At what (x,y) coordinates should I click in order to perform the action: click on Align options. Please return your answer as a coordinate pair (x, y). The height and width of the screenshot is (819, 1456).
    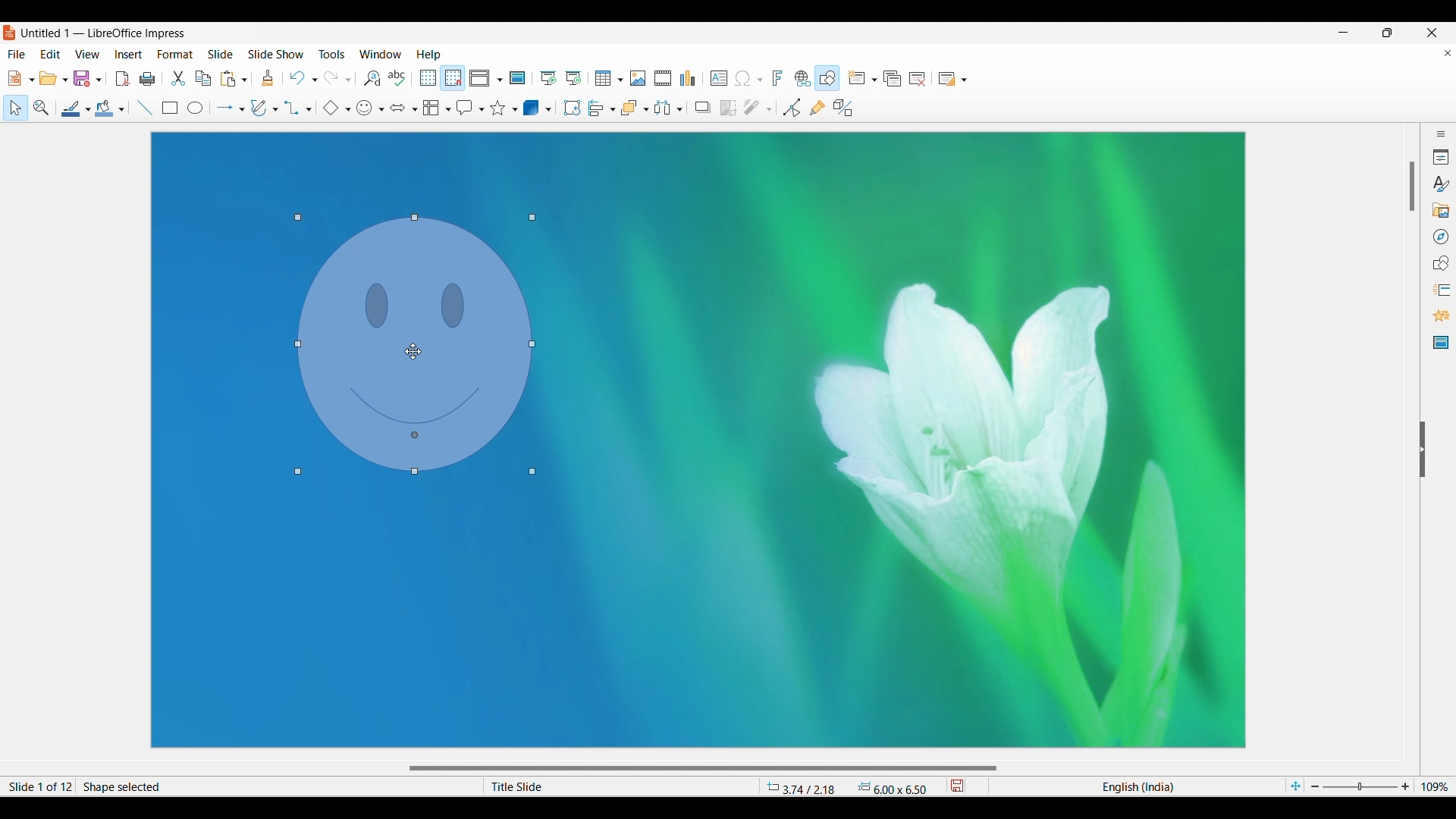
    Looking at the image, I should click on (613, 110).